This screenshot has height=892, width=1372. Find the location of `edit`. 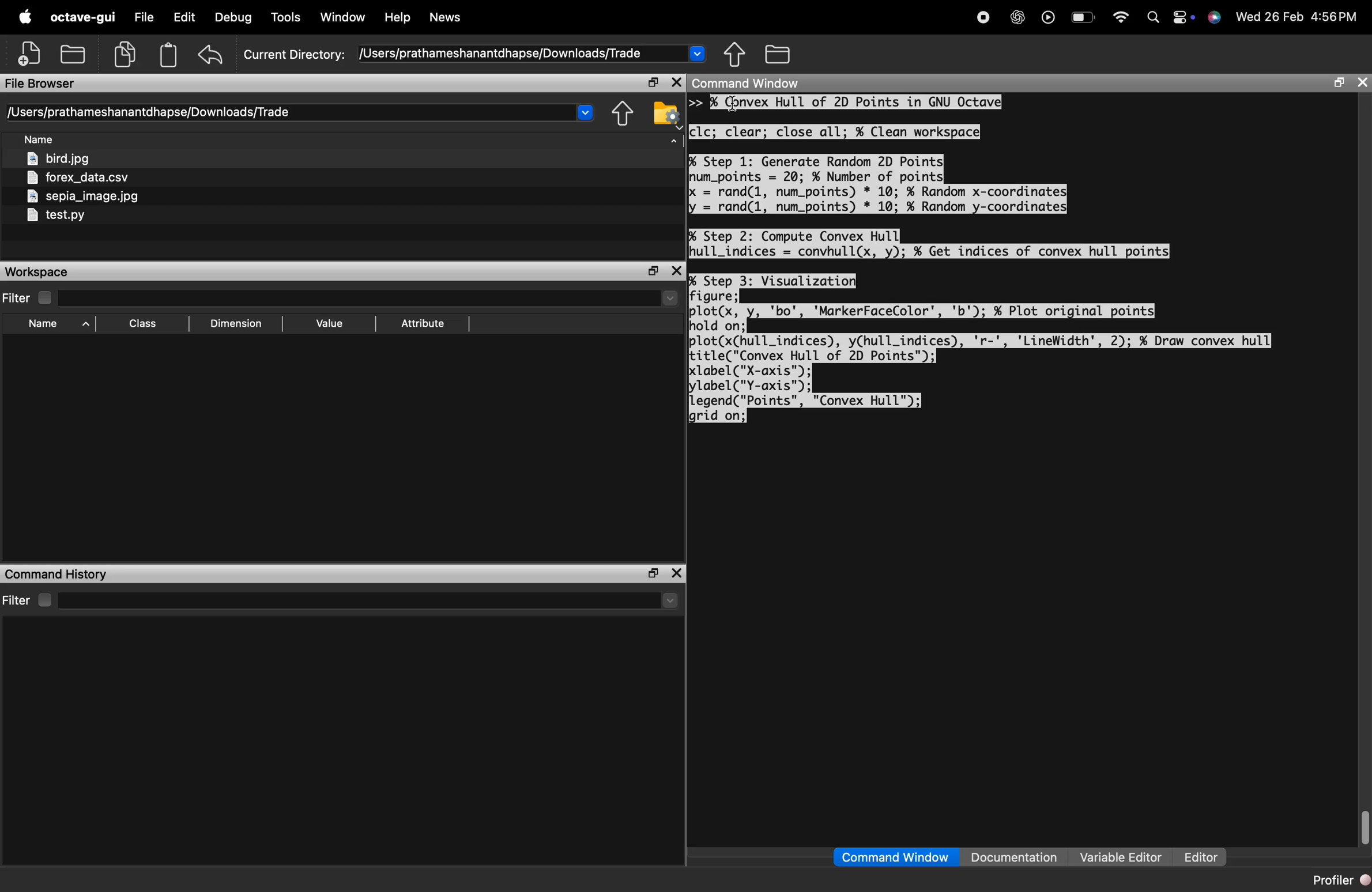

edit is located at coordinates (186, 17).